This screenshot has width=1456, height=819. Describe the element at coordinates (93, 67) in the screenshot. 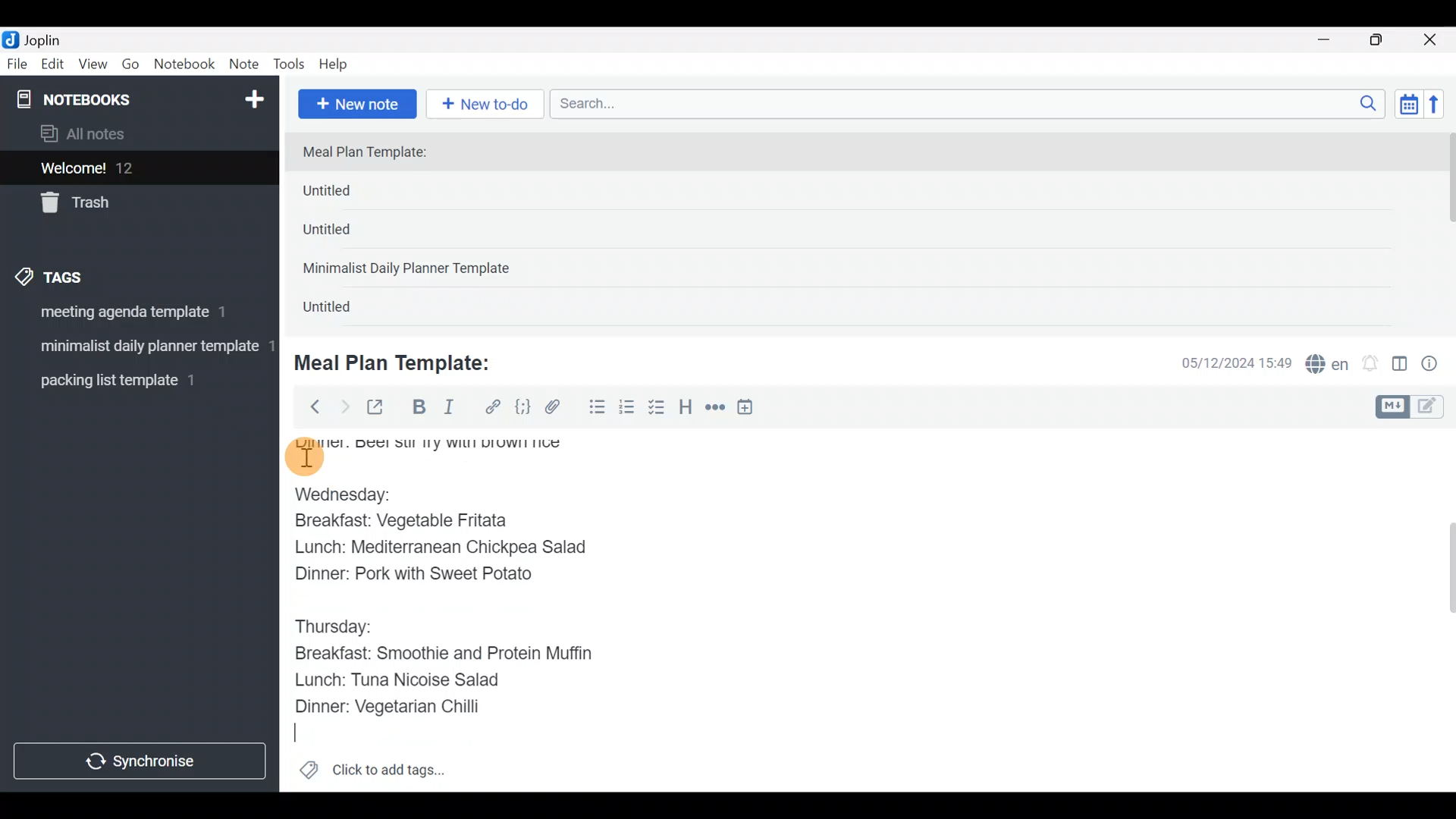

I see `View` at that location.